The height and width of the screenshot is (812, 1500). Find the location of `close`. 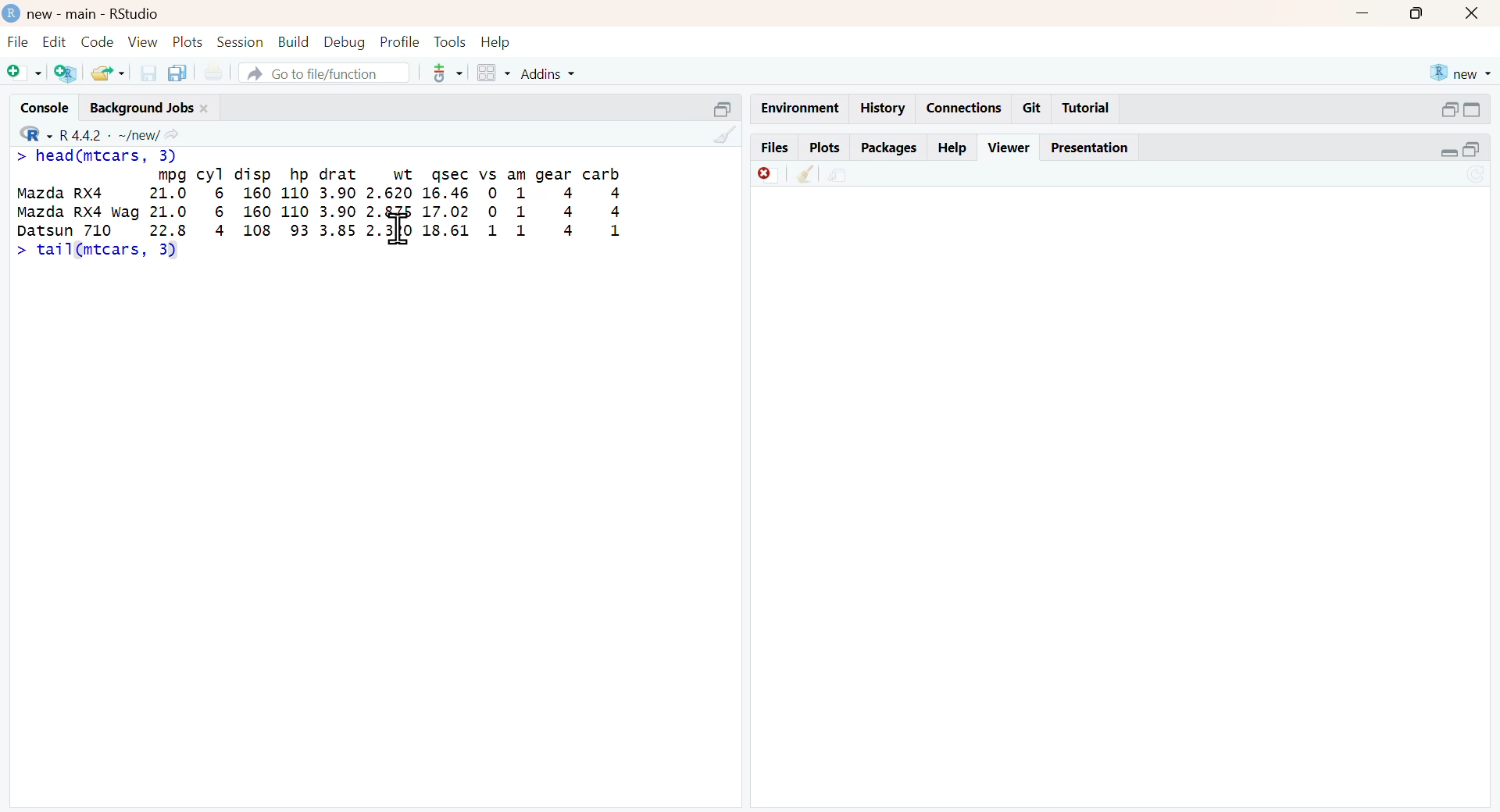

close is located at coordinates (1476, 15).